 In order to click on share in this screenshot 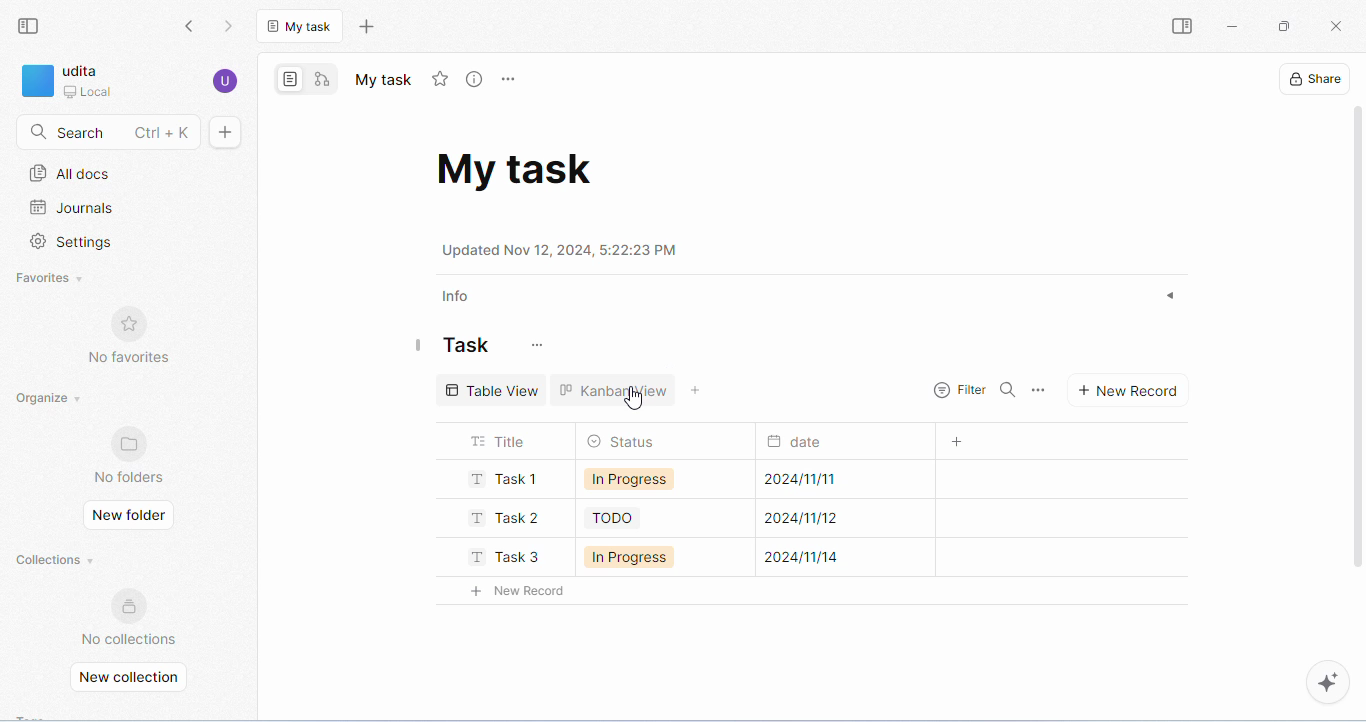, I will do `click(1313, 78)`.